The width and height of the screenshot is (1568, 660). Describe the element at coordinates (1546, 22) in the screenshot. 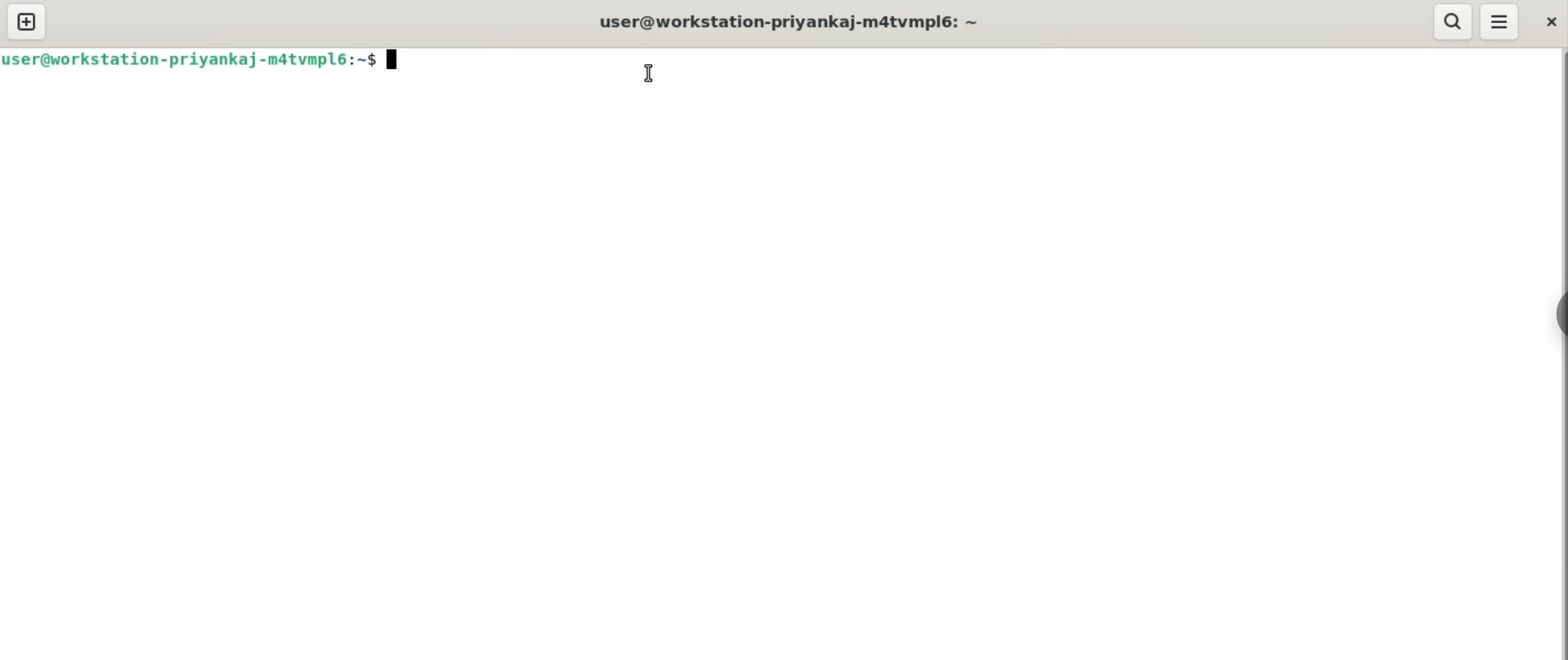

I see `close` at that location.